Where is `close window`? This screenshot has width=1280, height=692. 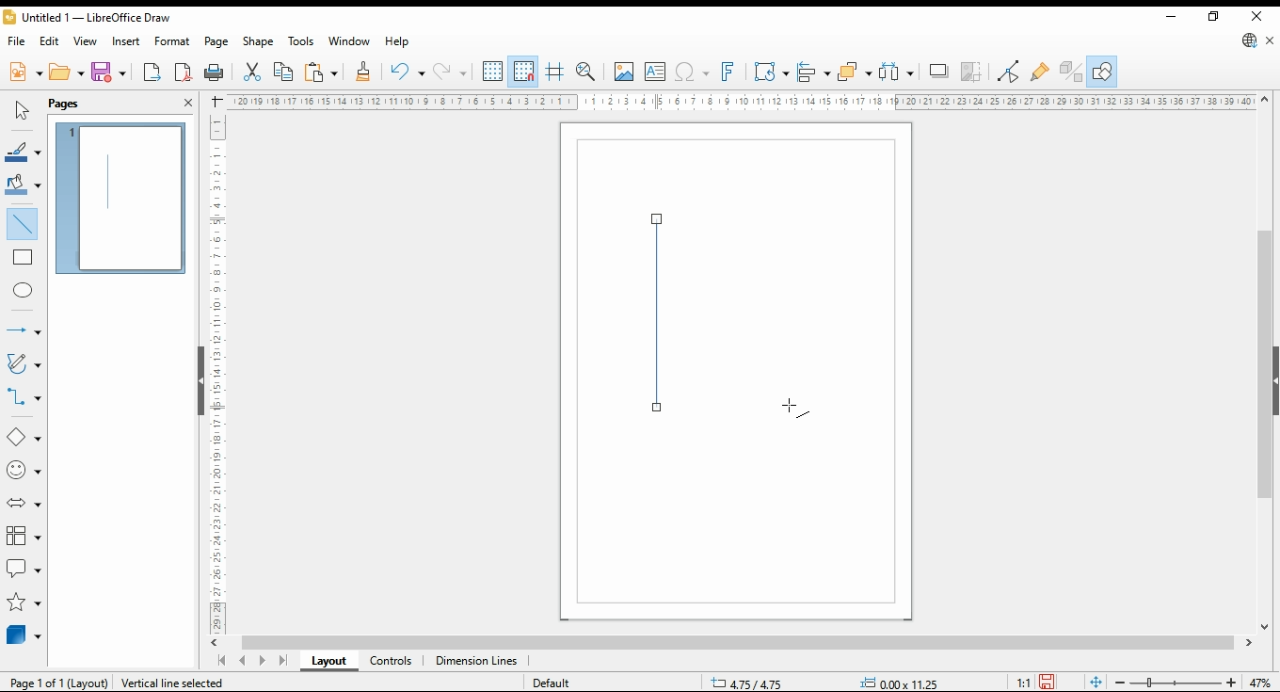 close window is located at coordinates (1259, 16).